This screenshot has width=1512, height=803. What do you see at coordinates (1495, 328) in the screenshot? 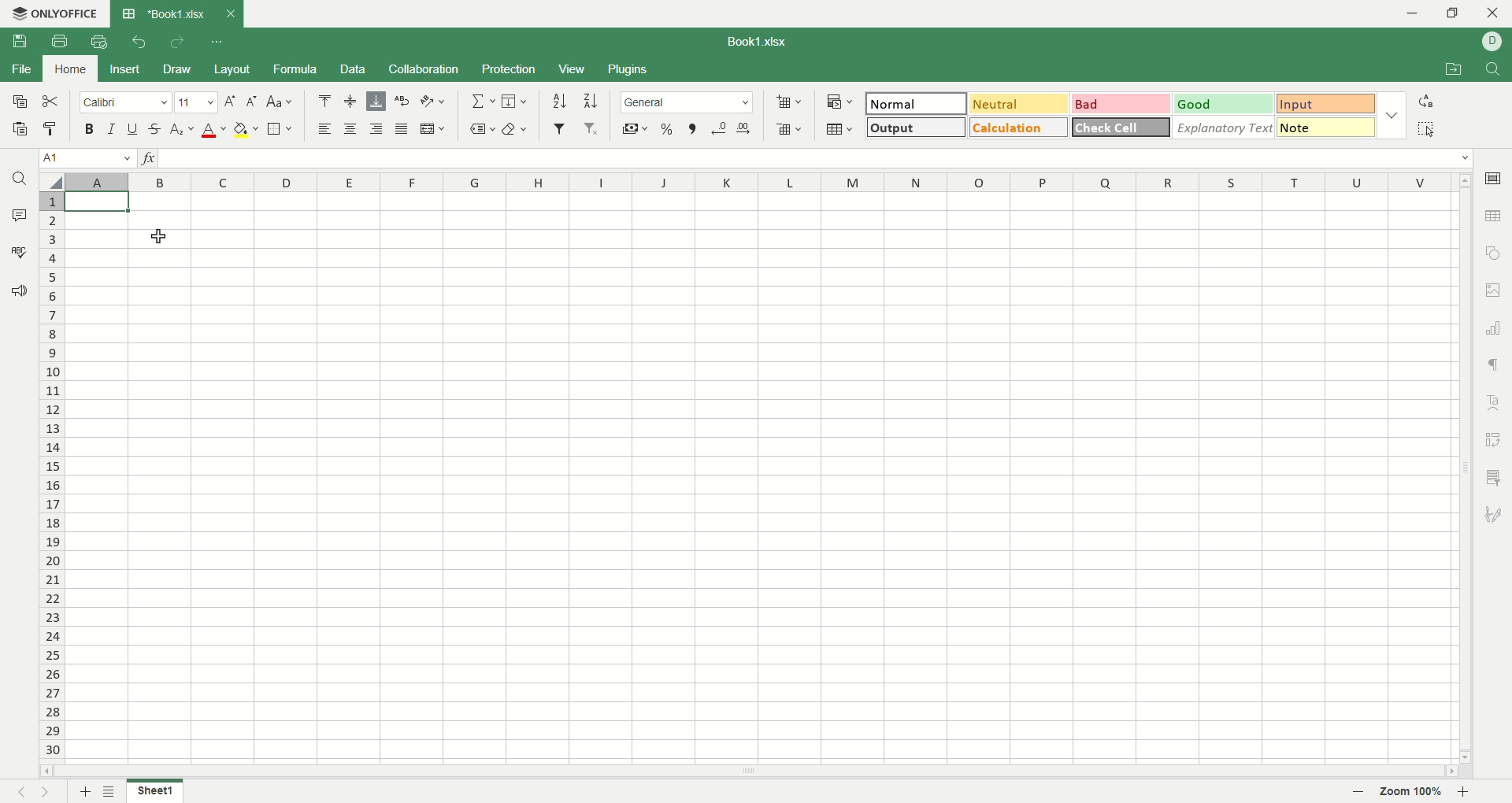
I see `chart settings` at bounding box center [1495, 328].